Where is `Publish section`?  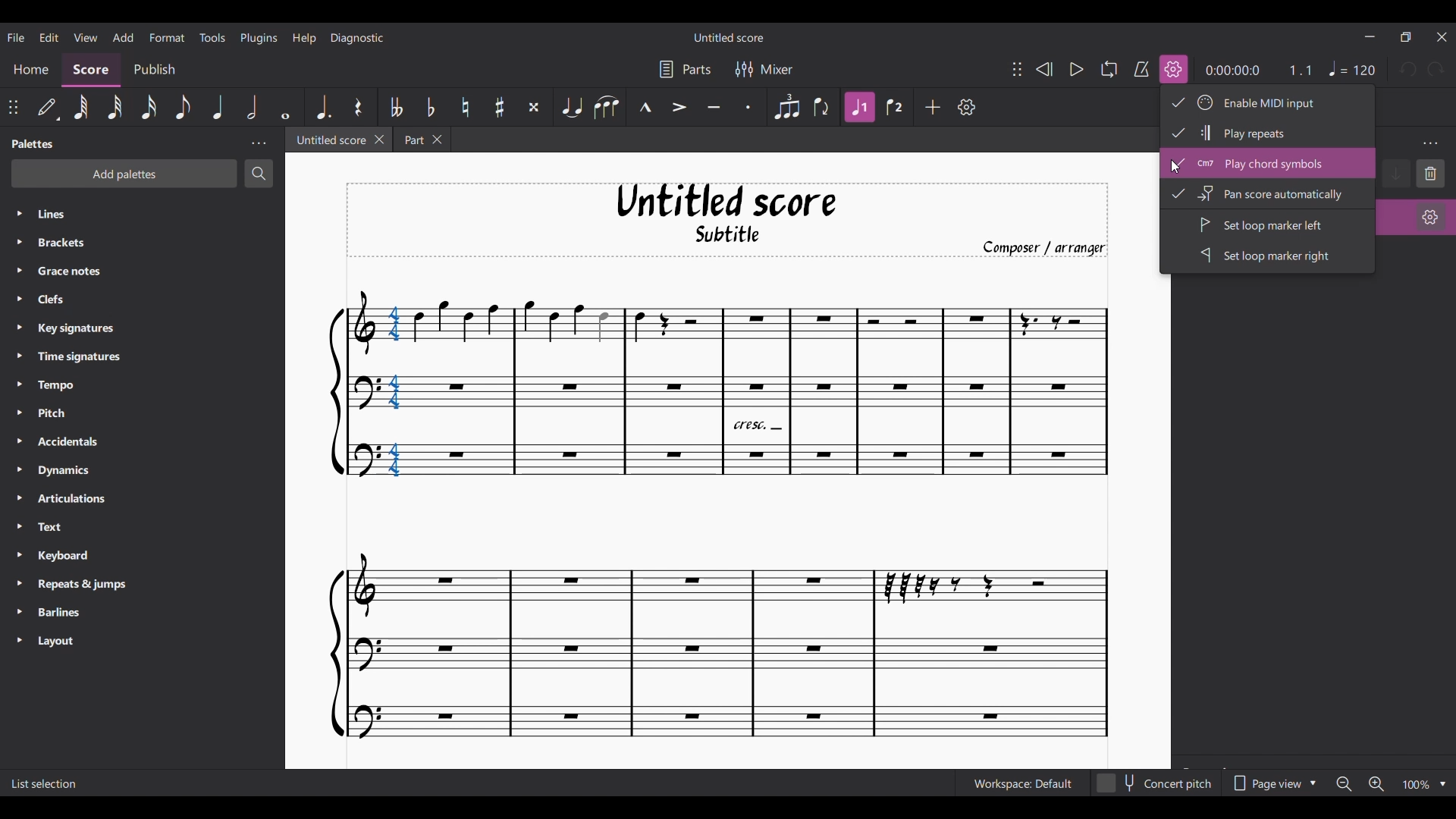
Publish section is located at coordinates (154, 70).